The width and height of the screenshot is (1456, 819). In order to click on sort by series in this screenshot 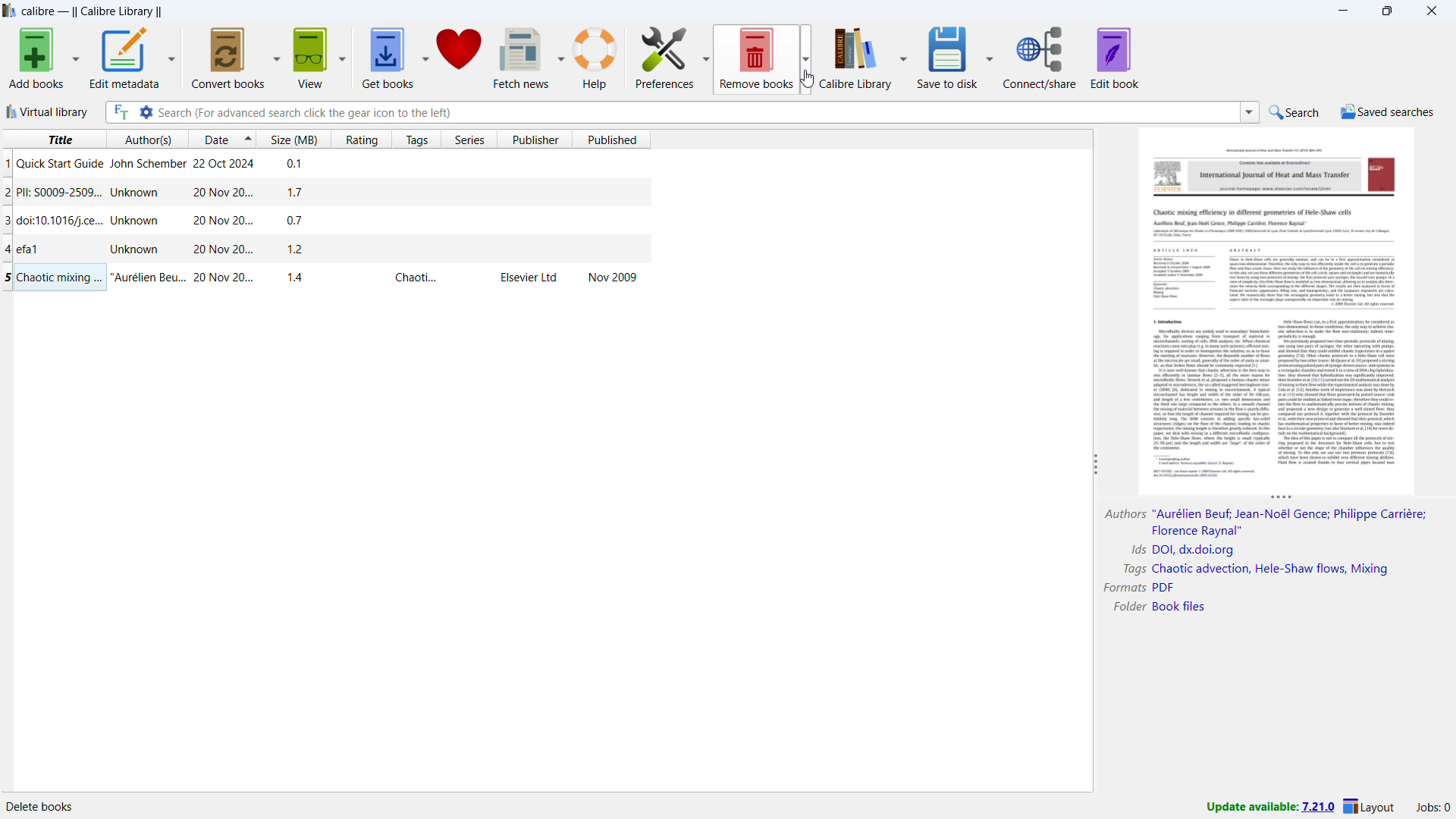, I will do `click(469, 140)`.